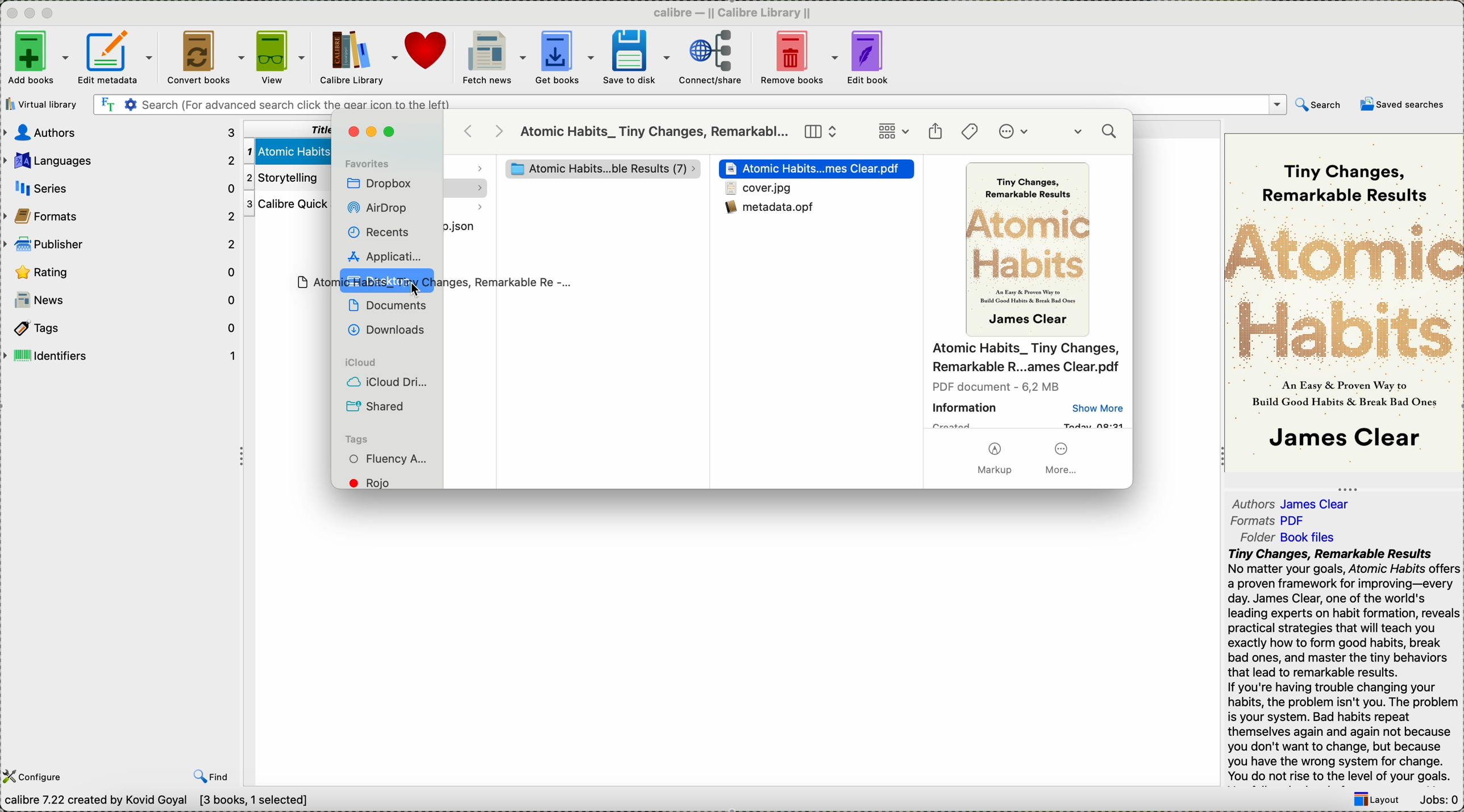 This screenshot has width=1464, height=812. Describe the element at coordinates (119, 327) in the screenshot. I see `tags` at that location.